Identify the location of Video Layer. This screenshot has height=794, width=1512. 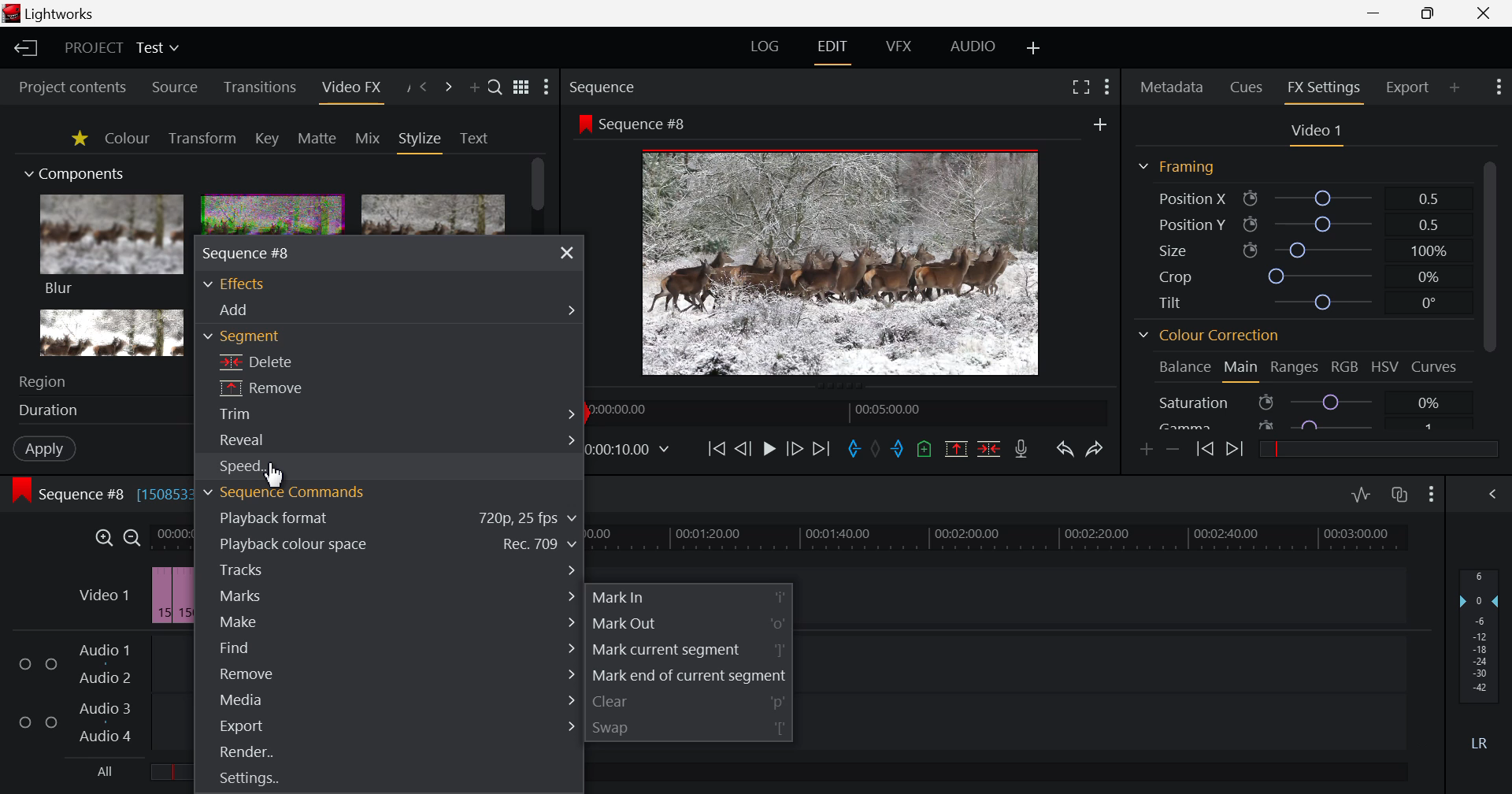
(103, 598).